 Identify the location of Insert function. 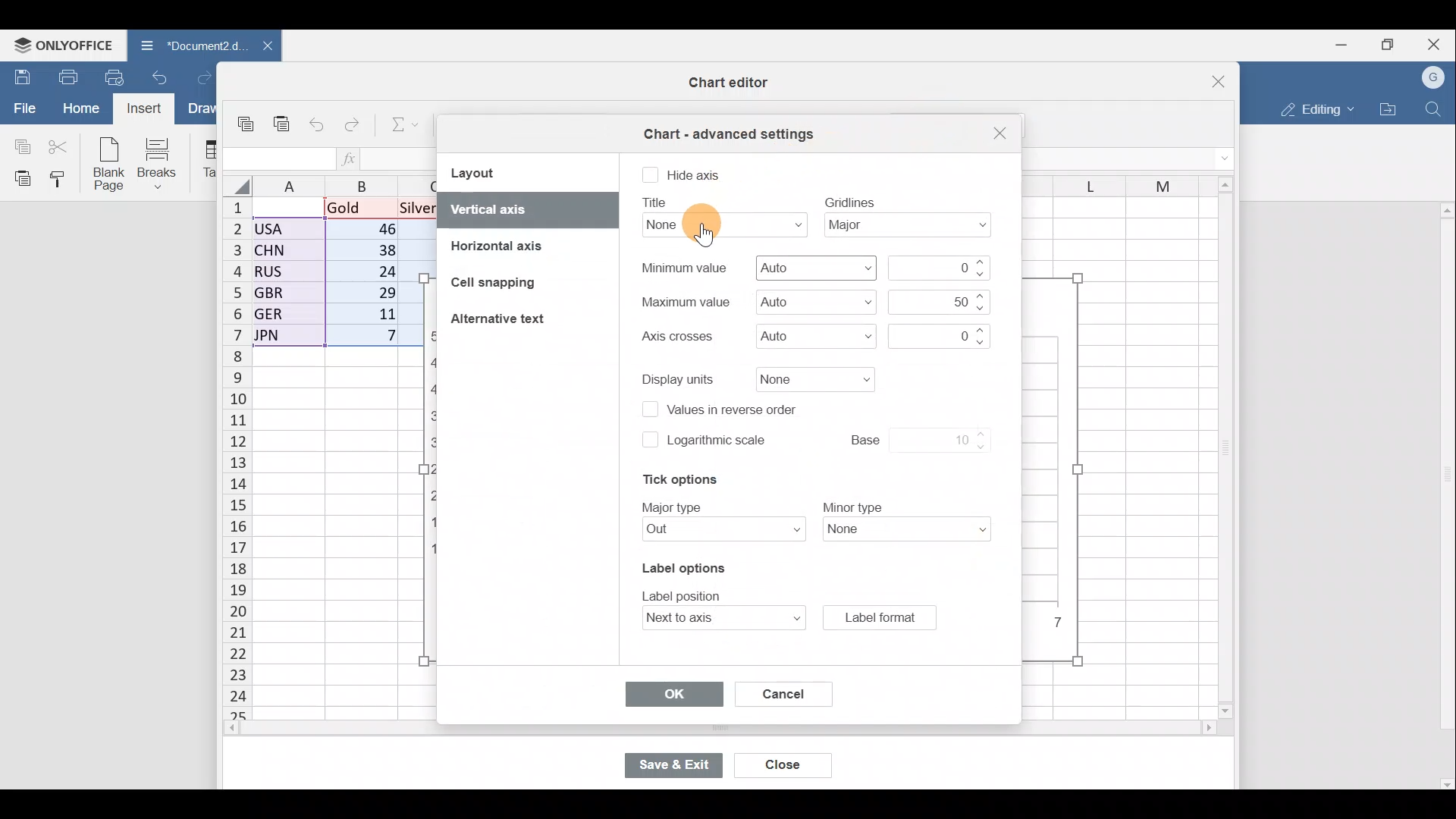
(350, 158).